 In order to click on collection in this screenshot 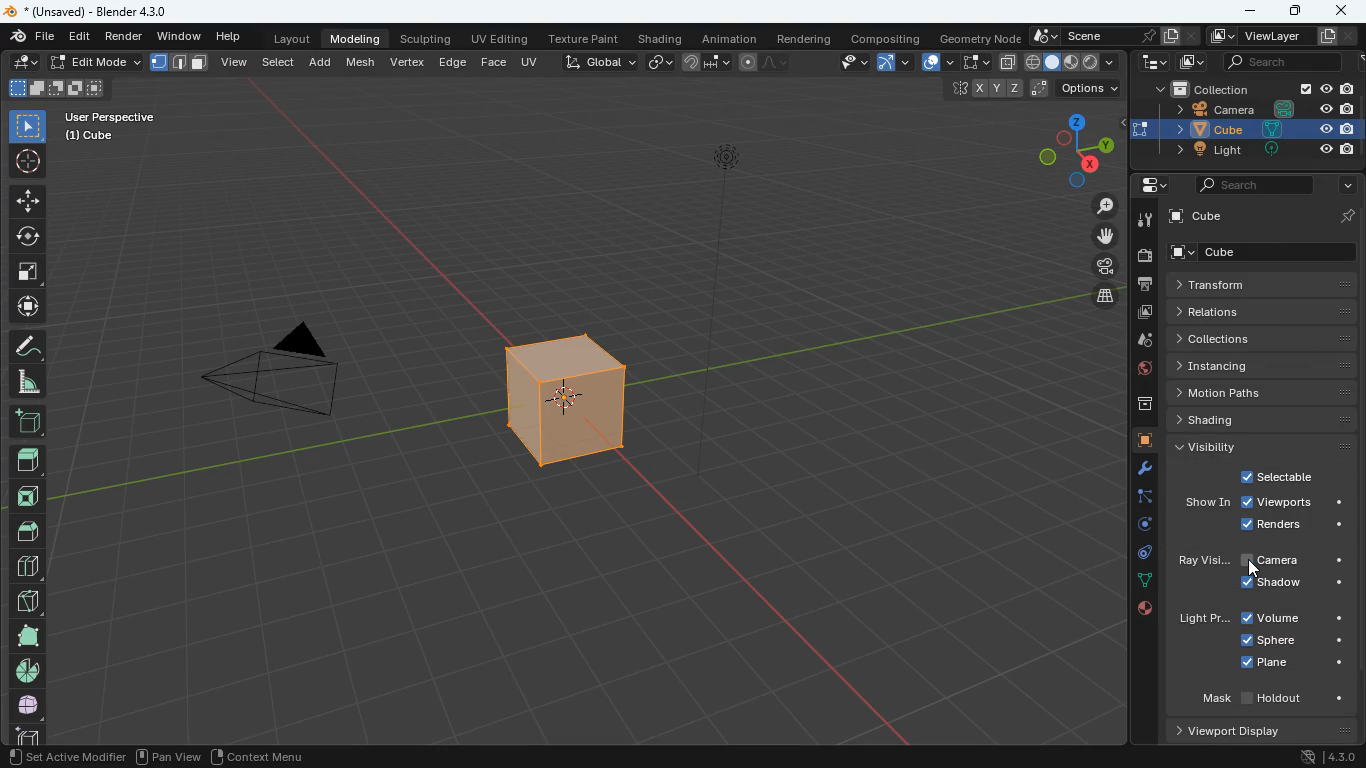, I will do `click(1256, 88)`.